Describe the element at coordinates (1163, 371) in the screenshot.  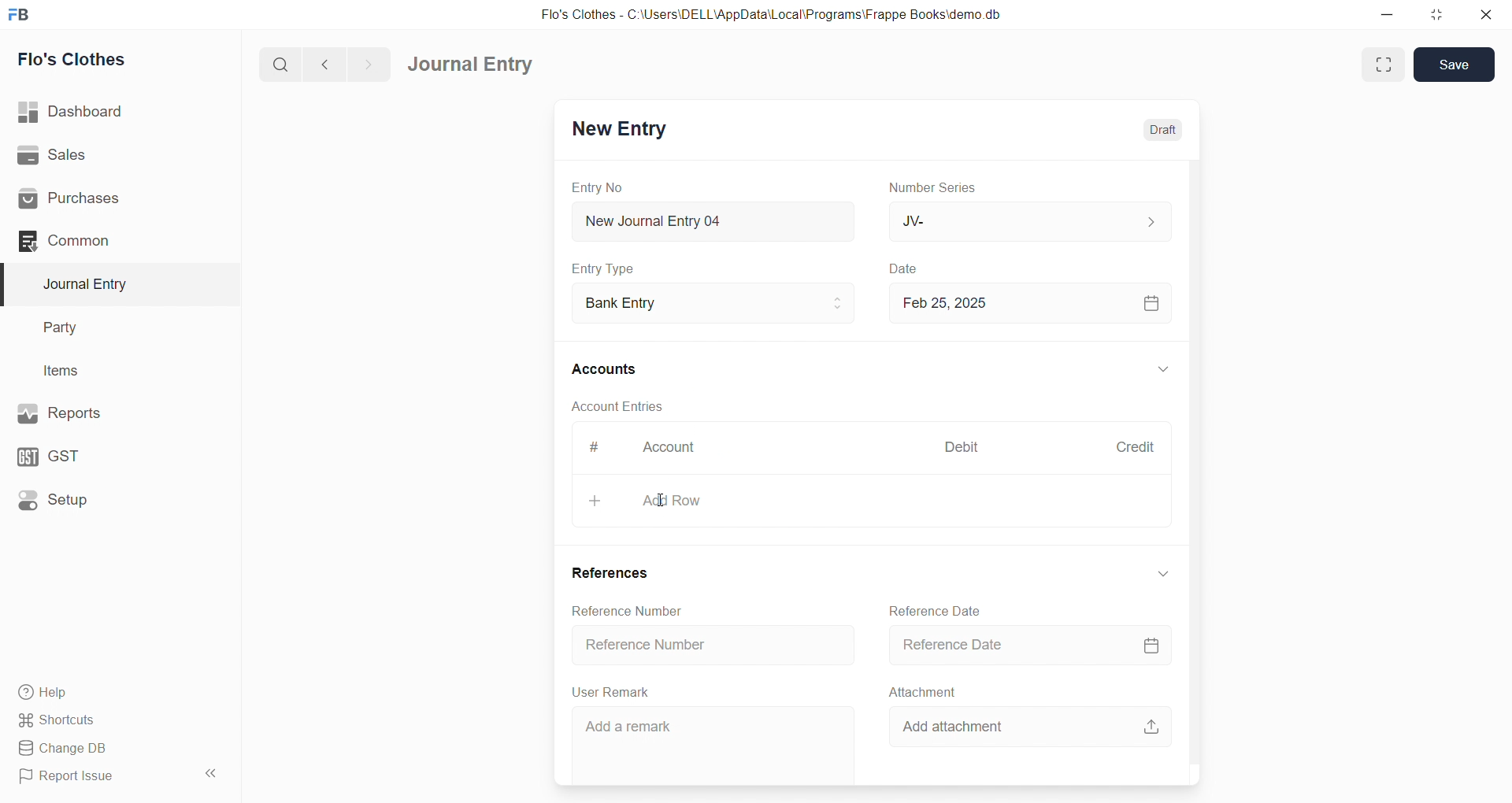
I see `Expand/Collapse` at that location.